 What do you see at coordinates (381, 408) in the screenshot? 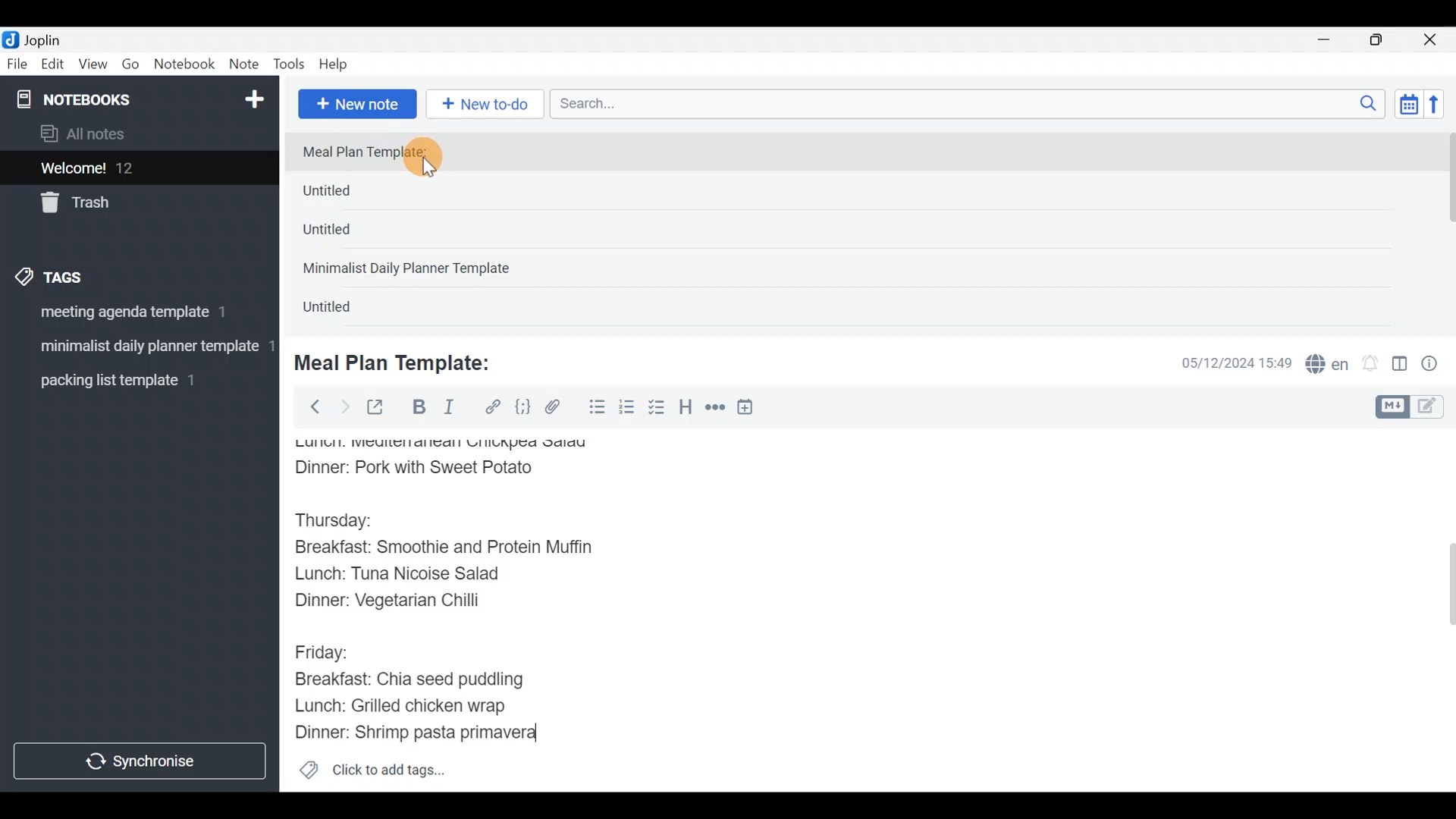
I see `Toggle external editing` at bounding box center [381, 408].